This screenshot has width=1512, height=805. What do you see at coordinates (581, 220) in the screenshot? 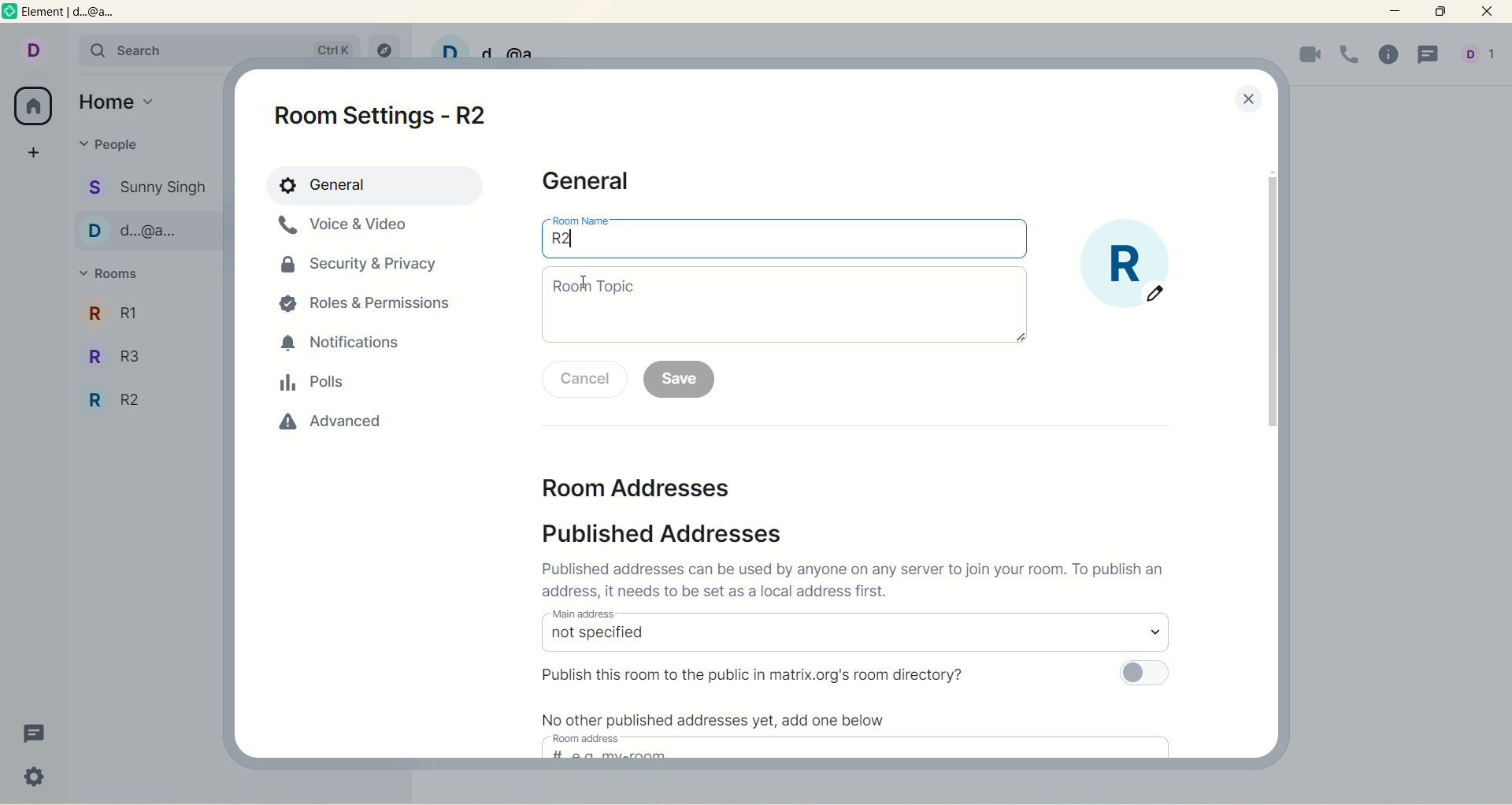
I see `room name` at bounding box center [581, 220].